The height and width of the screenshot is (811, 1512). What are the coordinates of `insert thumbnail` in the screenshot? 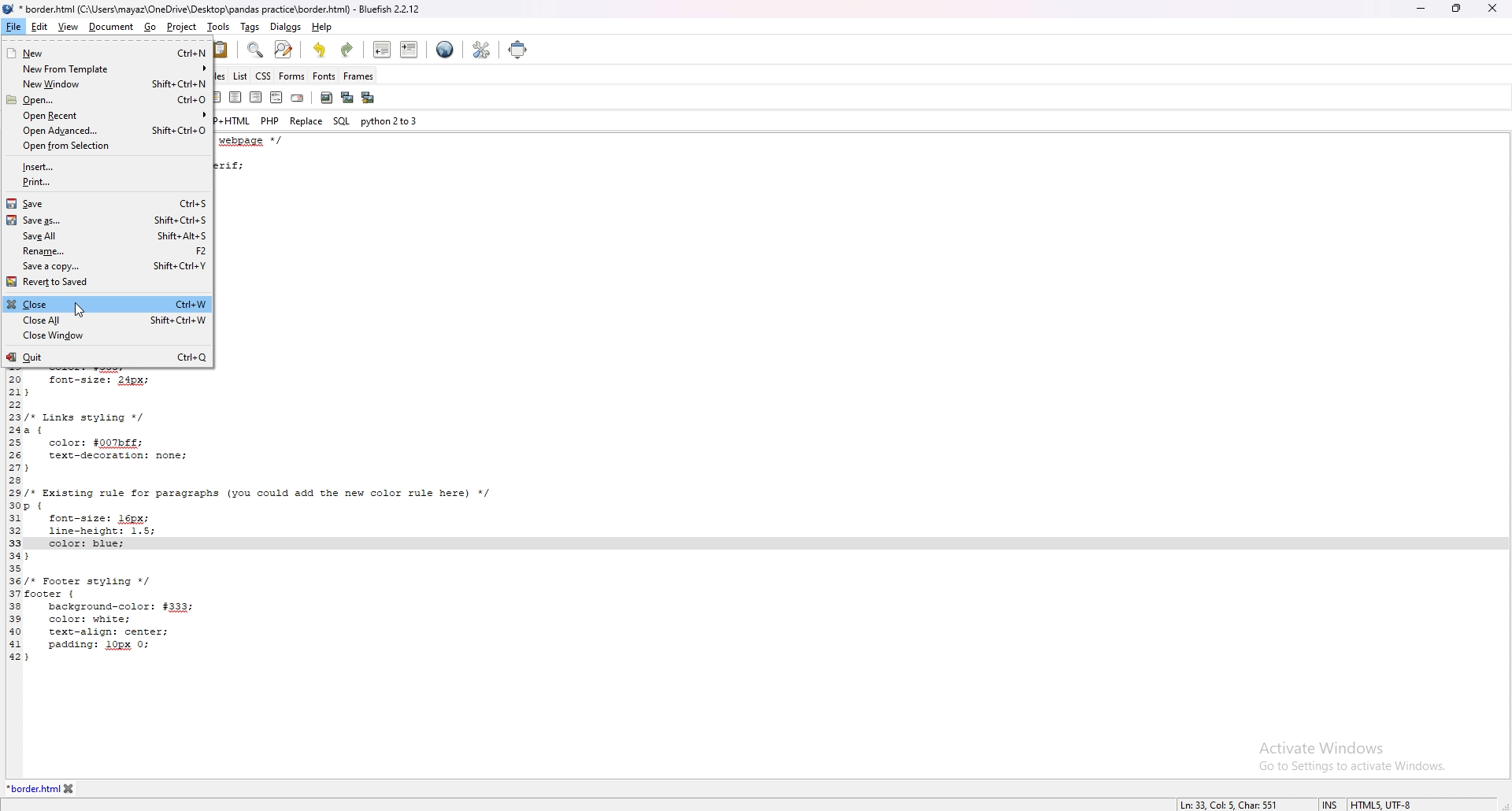 It's located at (347, 98).